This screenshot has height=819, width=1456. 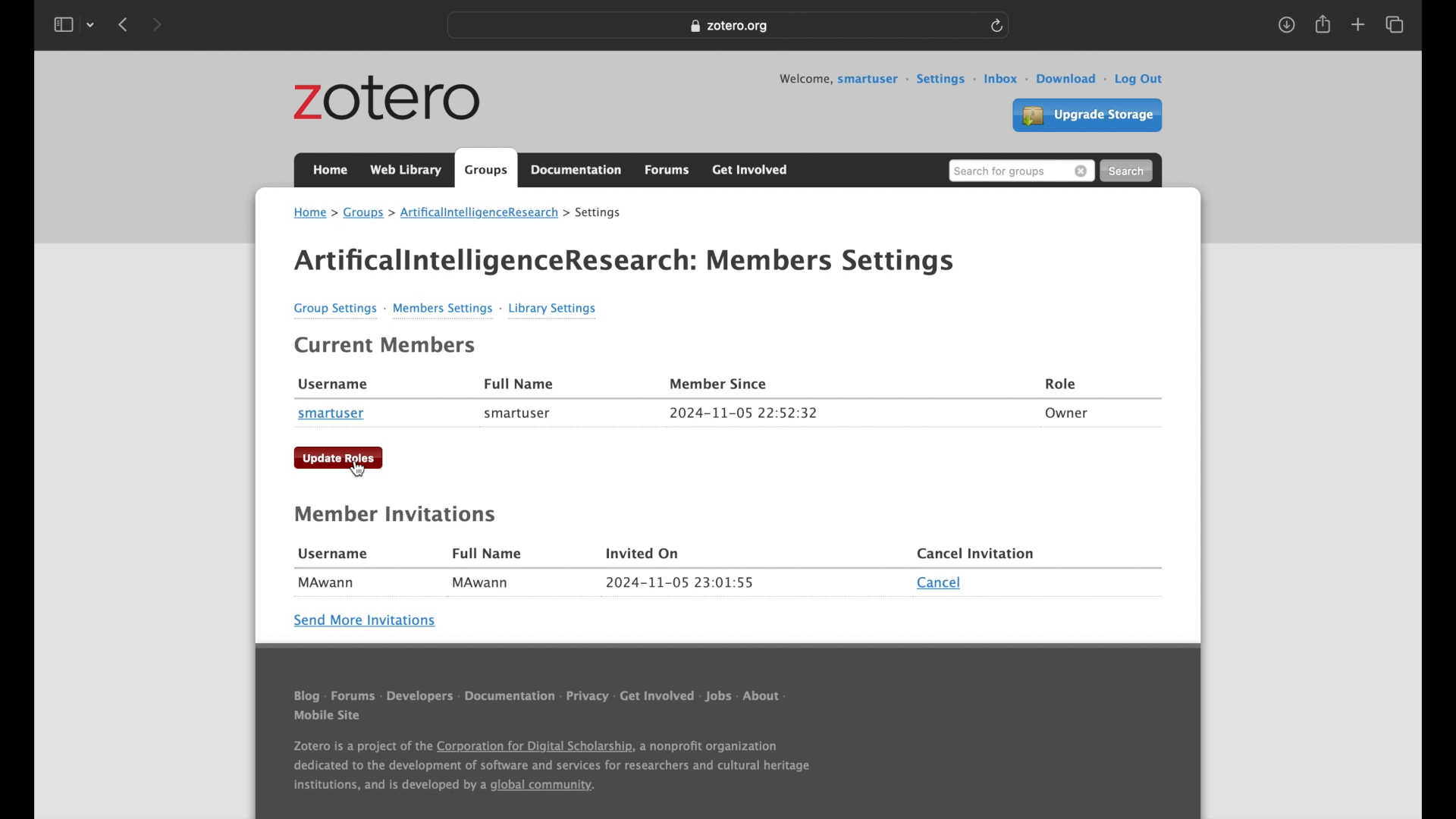 I want to click on inbox, so click(x=1006, y=80).